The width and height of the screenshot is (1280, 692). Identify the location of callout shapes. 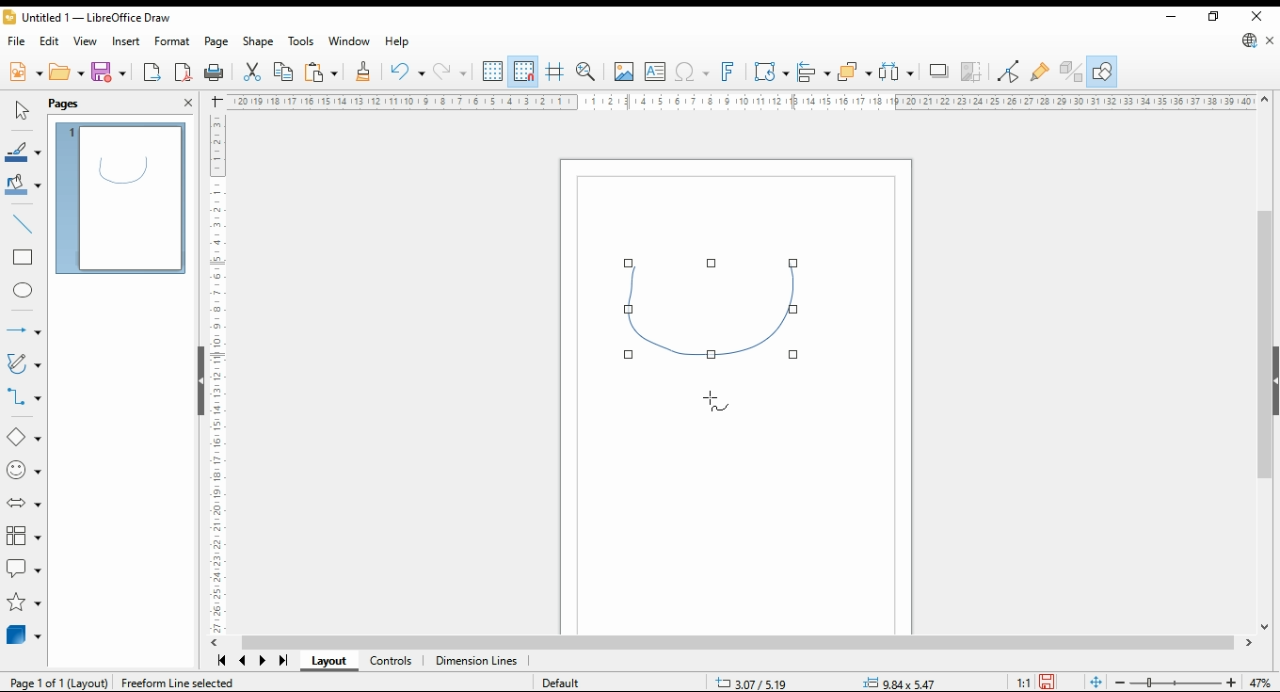
(23, 569).